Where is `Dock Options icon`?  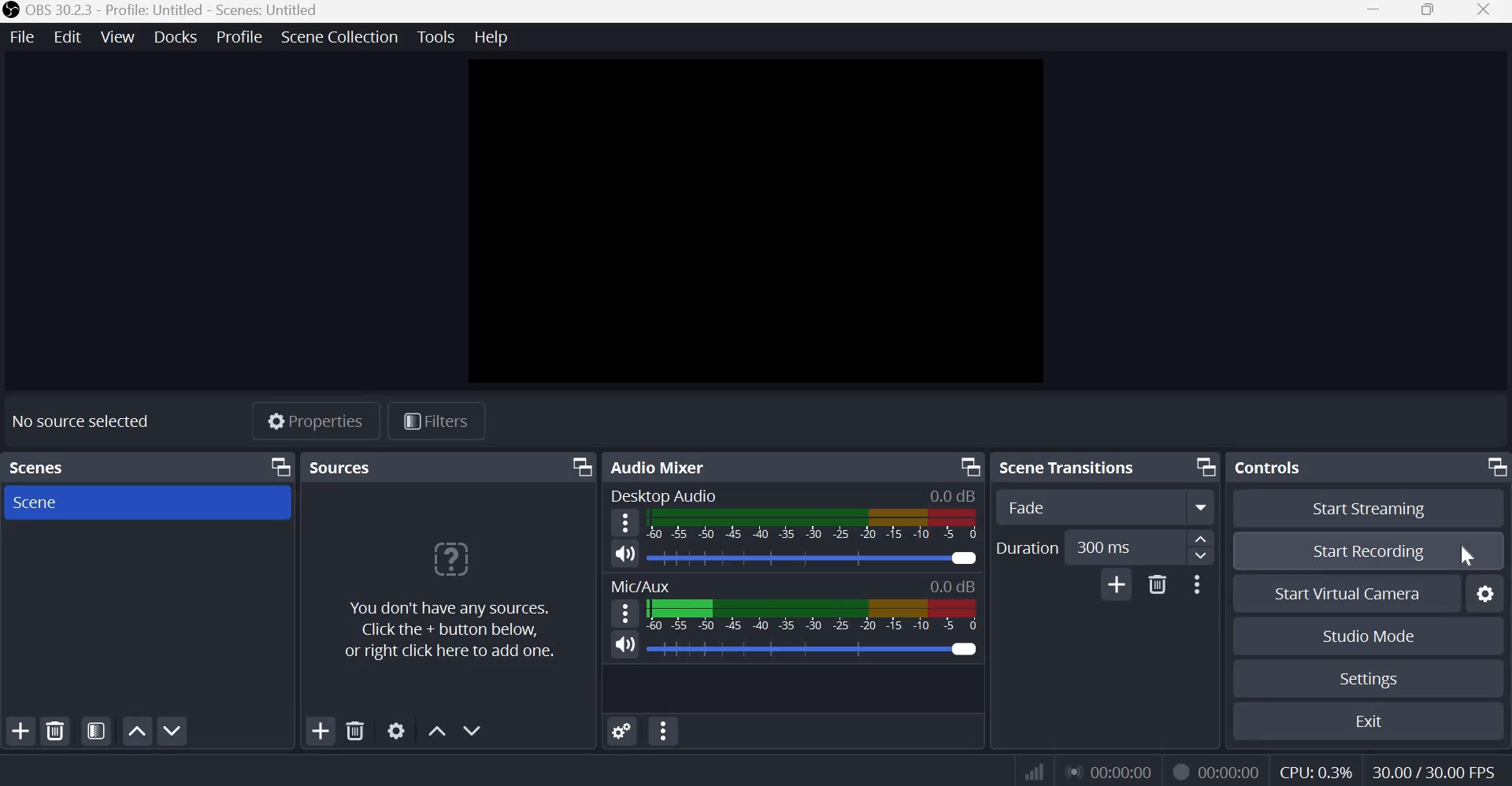 Dock Options icon is located at coordinates (1495, 466).